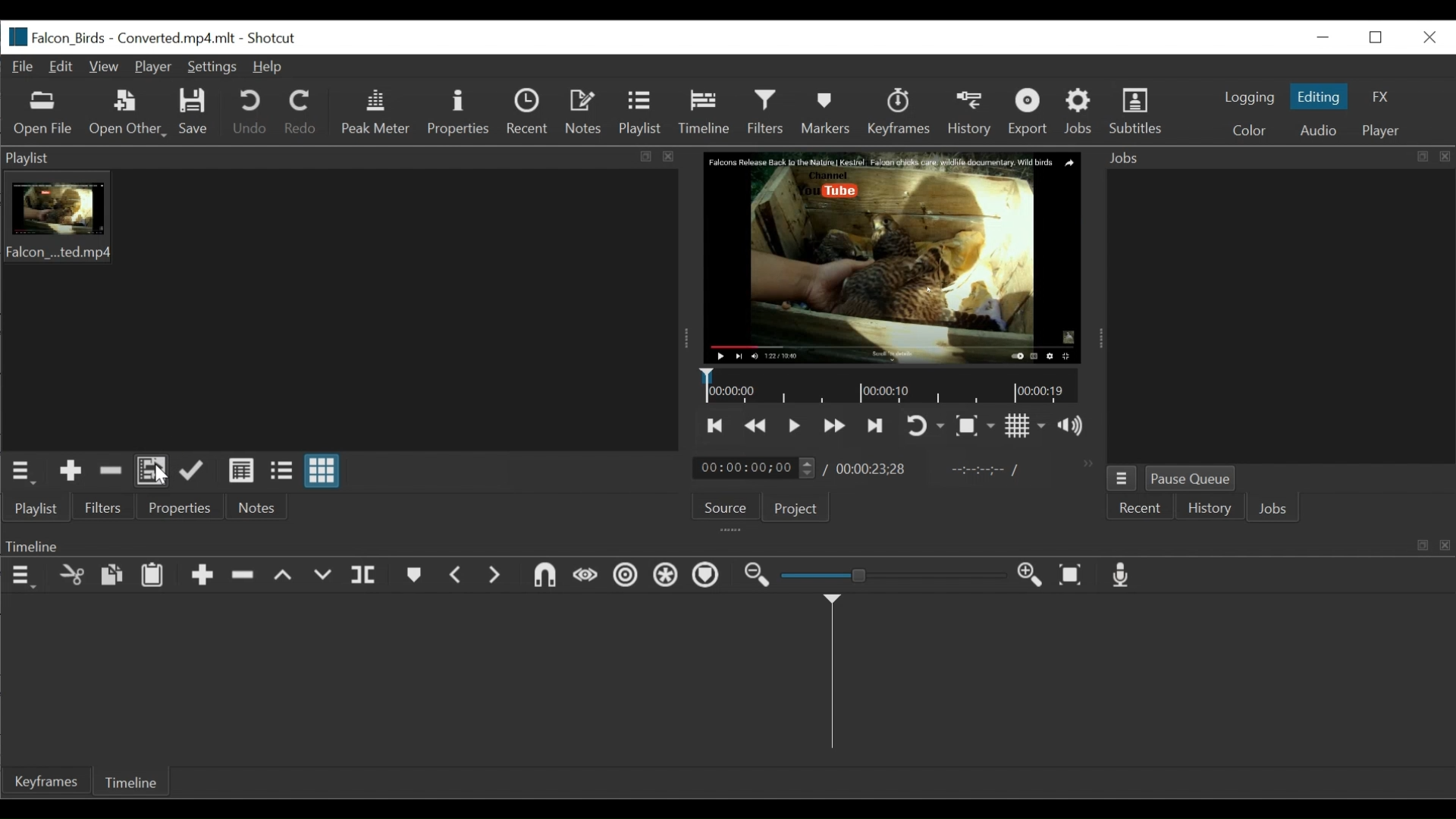 The width and height of the screenshot is (1456, 819). I want to click on In point, so click(985, 472).